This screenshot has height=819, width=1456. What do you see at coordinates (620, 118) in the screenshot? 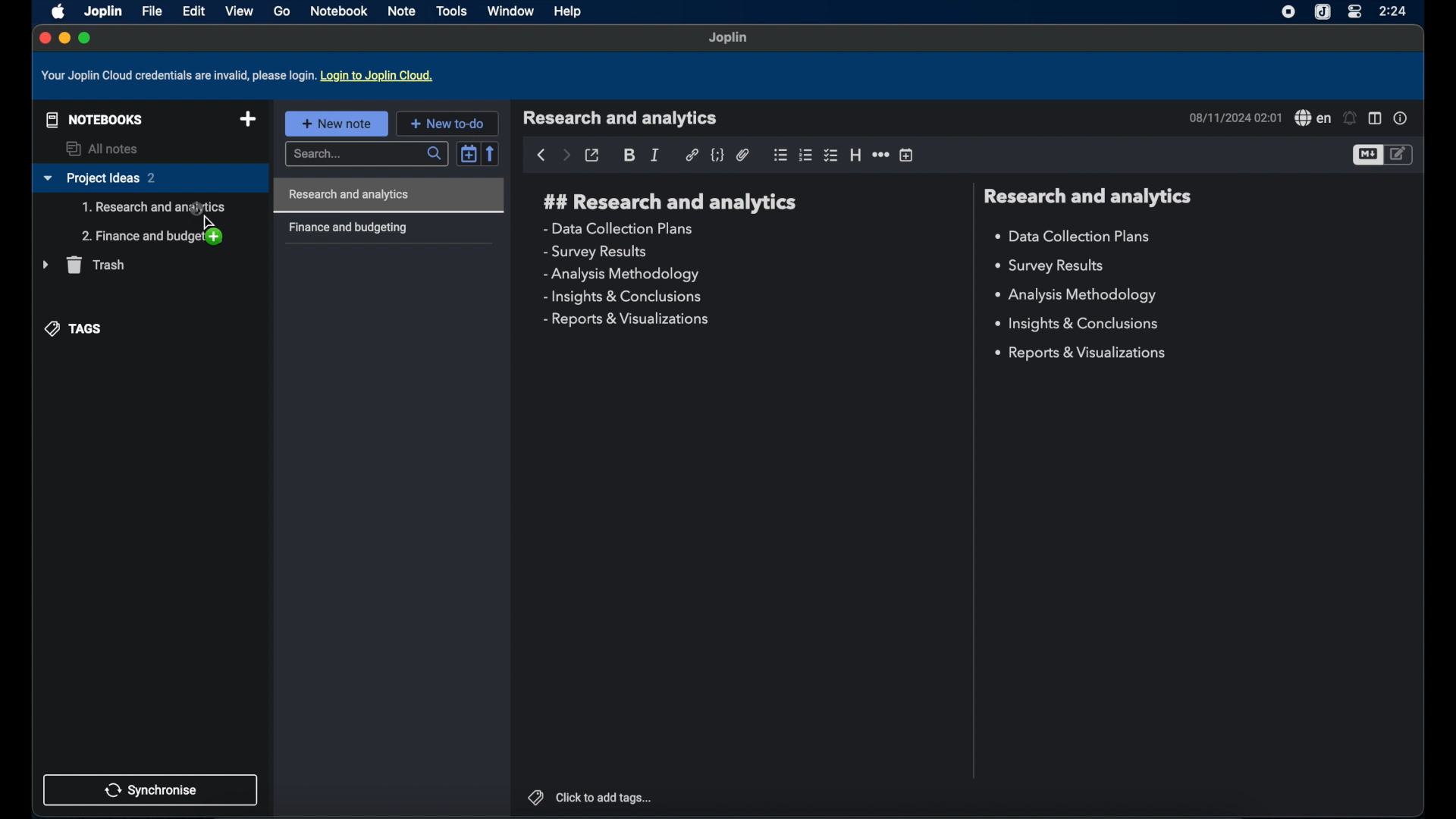
I see `research and analytics` at bounding box center [620, 118].